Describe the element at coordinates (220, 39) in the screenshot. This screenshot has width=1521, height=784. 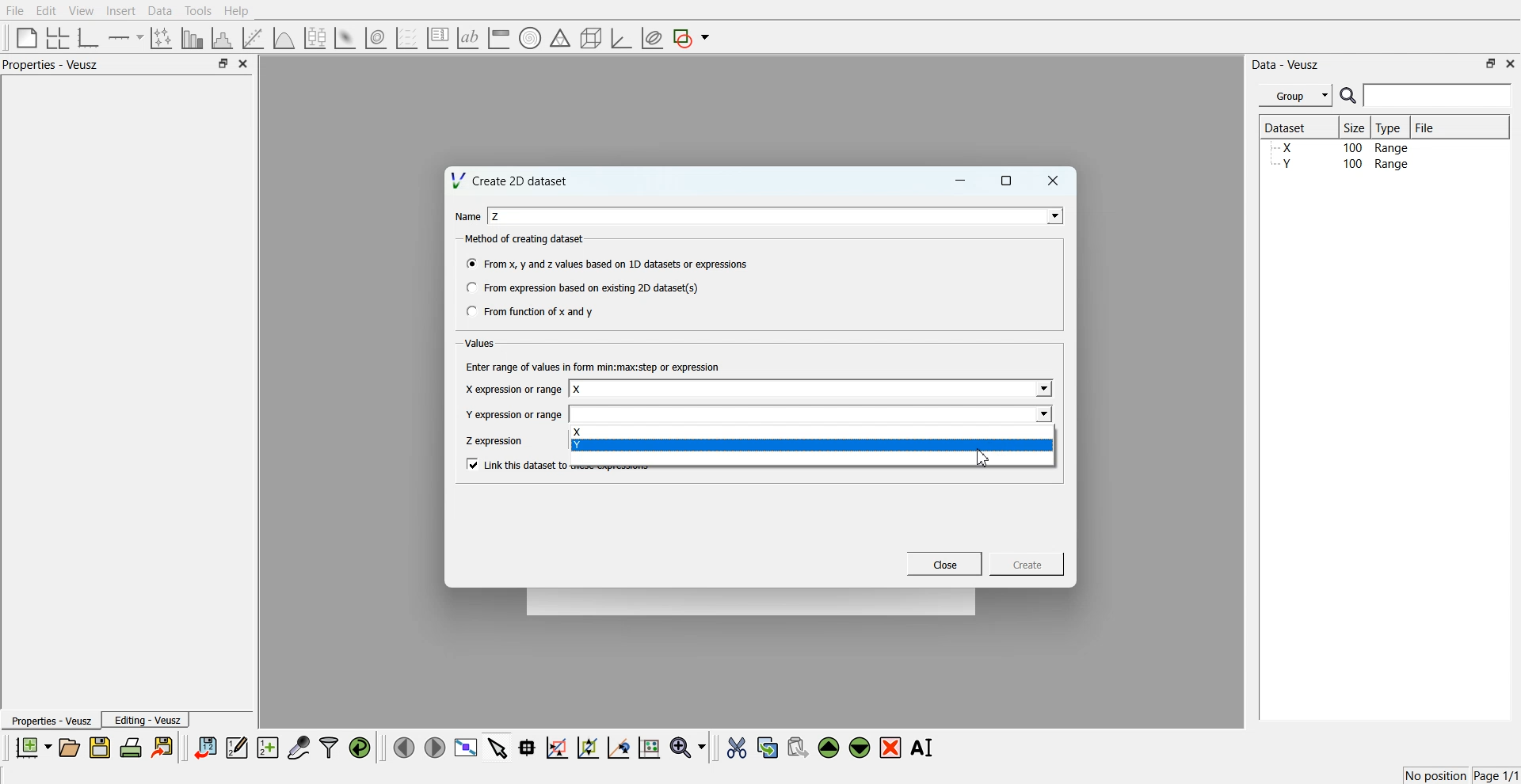
I see `Histogram of dataset` at that location.